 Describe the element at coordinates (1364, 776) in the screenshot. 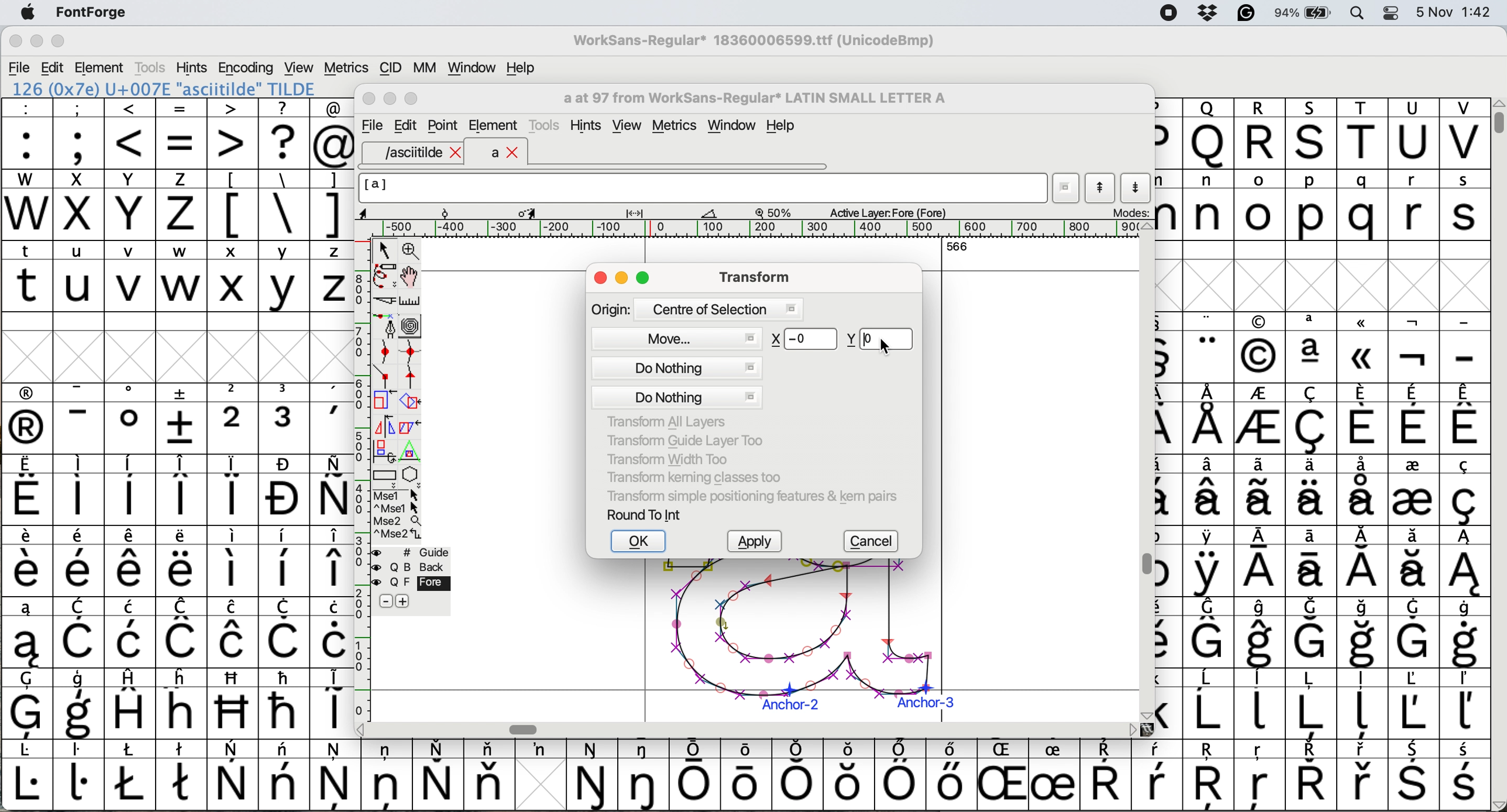

I see `symbol` at that location.